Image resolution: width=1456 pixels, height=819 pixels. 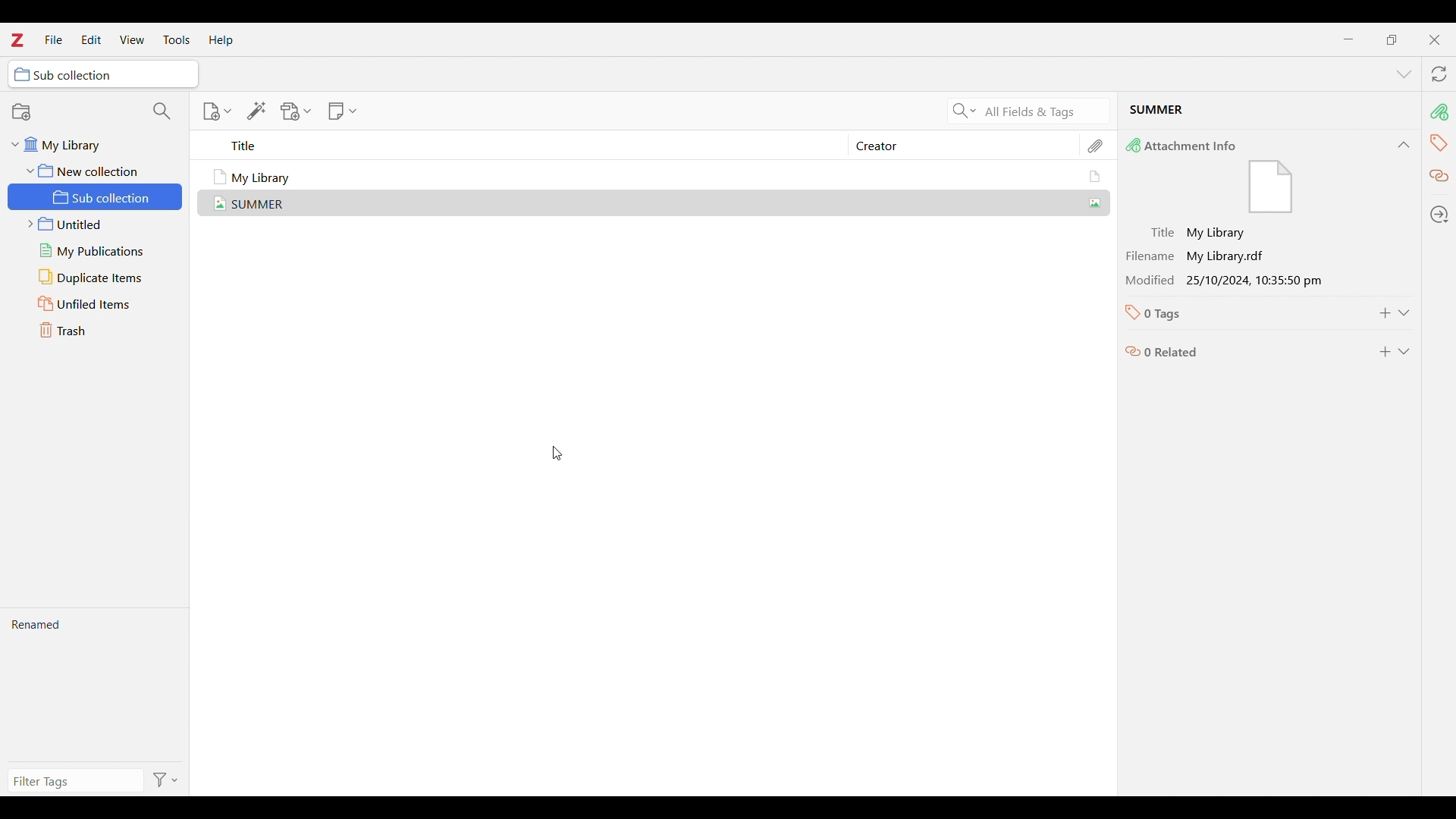 I want to click on sub selection, so click(x=104, y=74).